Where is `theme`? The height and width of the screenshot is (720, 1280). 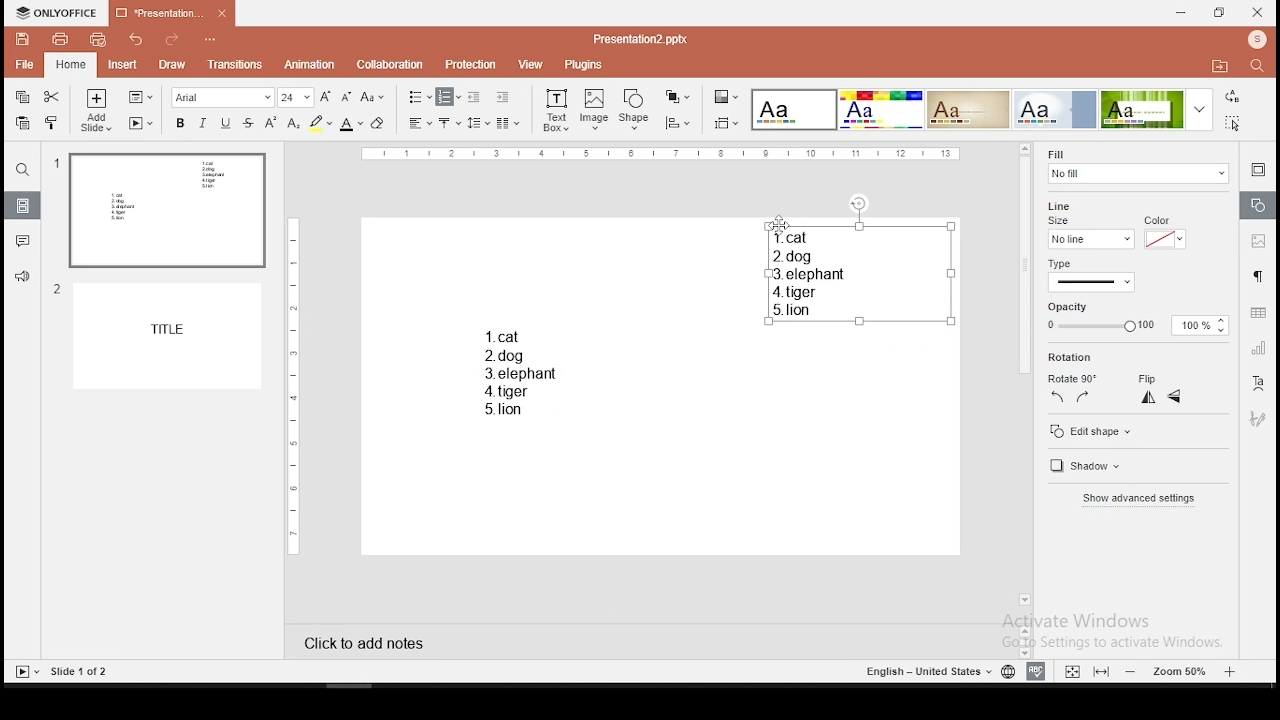
theme is located at coordinates (881, 110).